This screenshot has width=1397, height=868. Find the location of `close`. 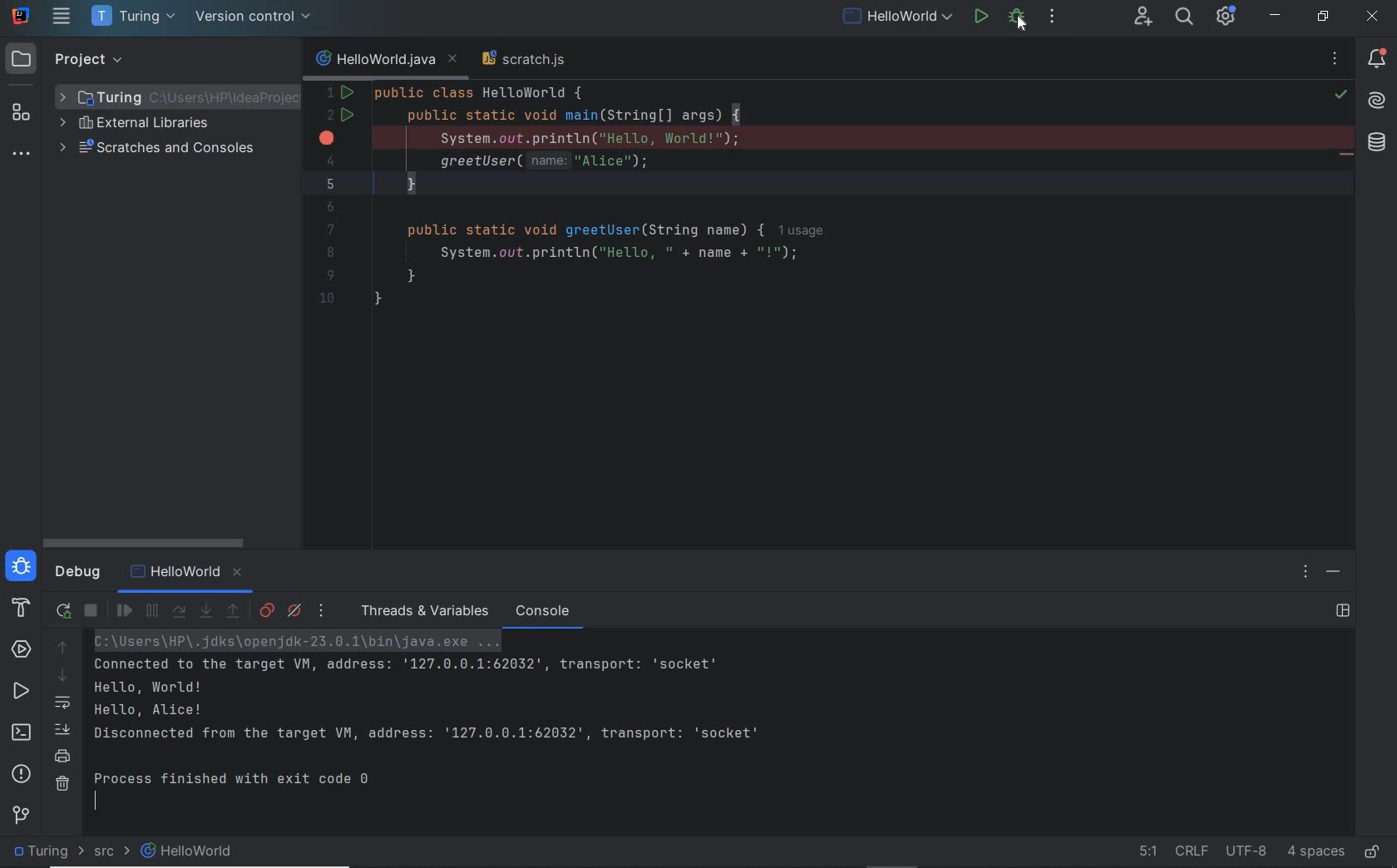

close is located at coordinates (1375, 18).